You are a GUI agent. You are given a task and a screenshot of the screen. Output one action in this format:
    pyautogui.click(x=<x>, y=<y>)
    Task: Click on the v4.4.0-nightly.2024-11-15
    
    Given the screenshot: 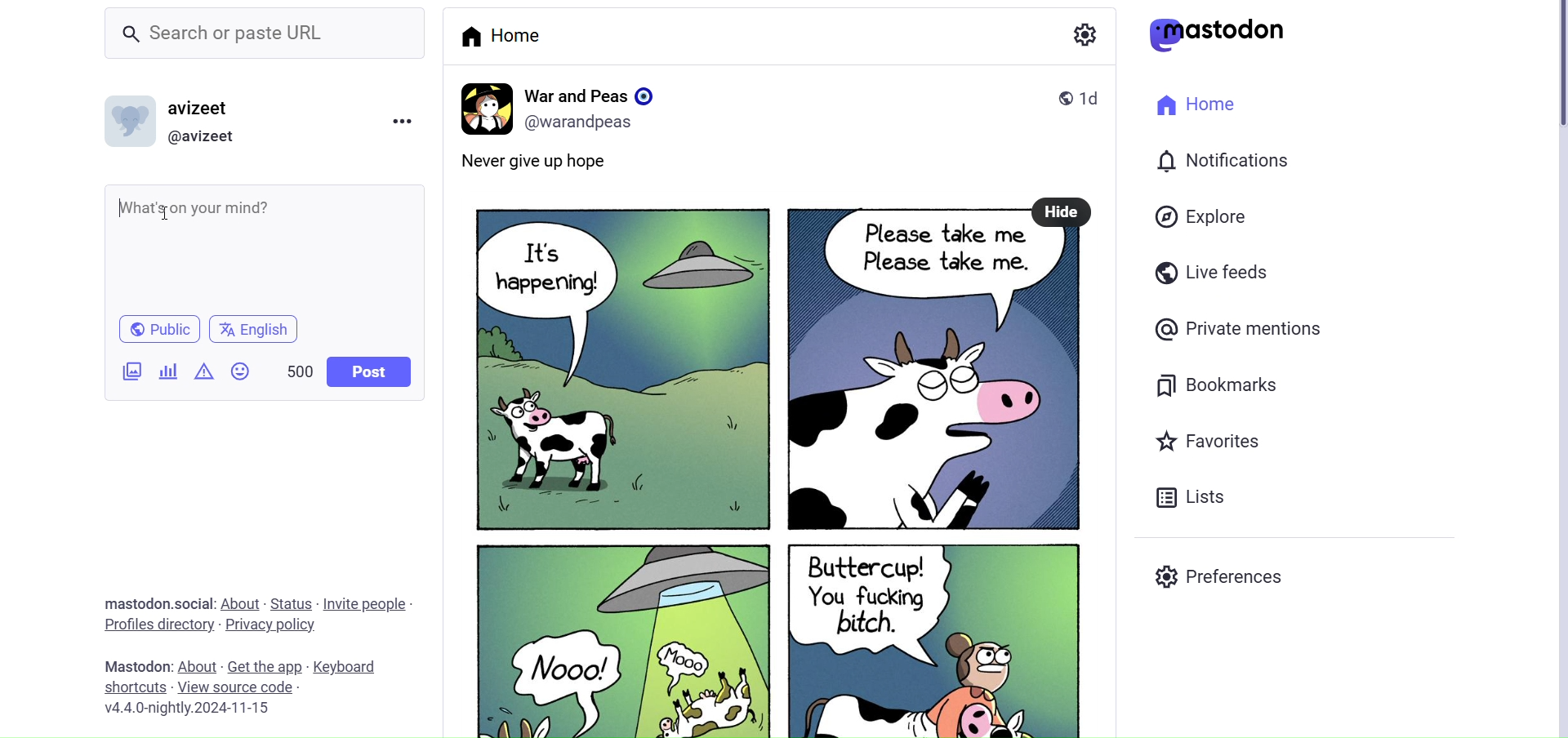 What is the action you would take?
    pyautogui.click(x=187, y=710)
    